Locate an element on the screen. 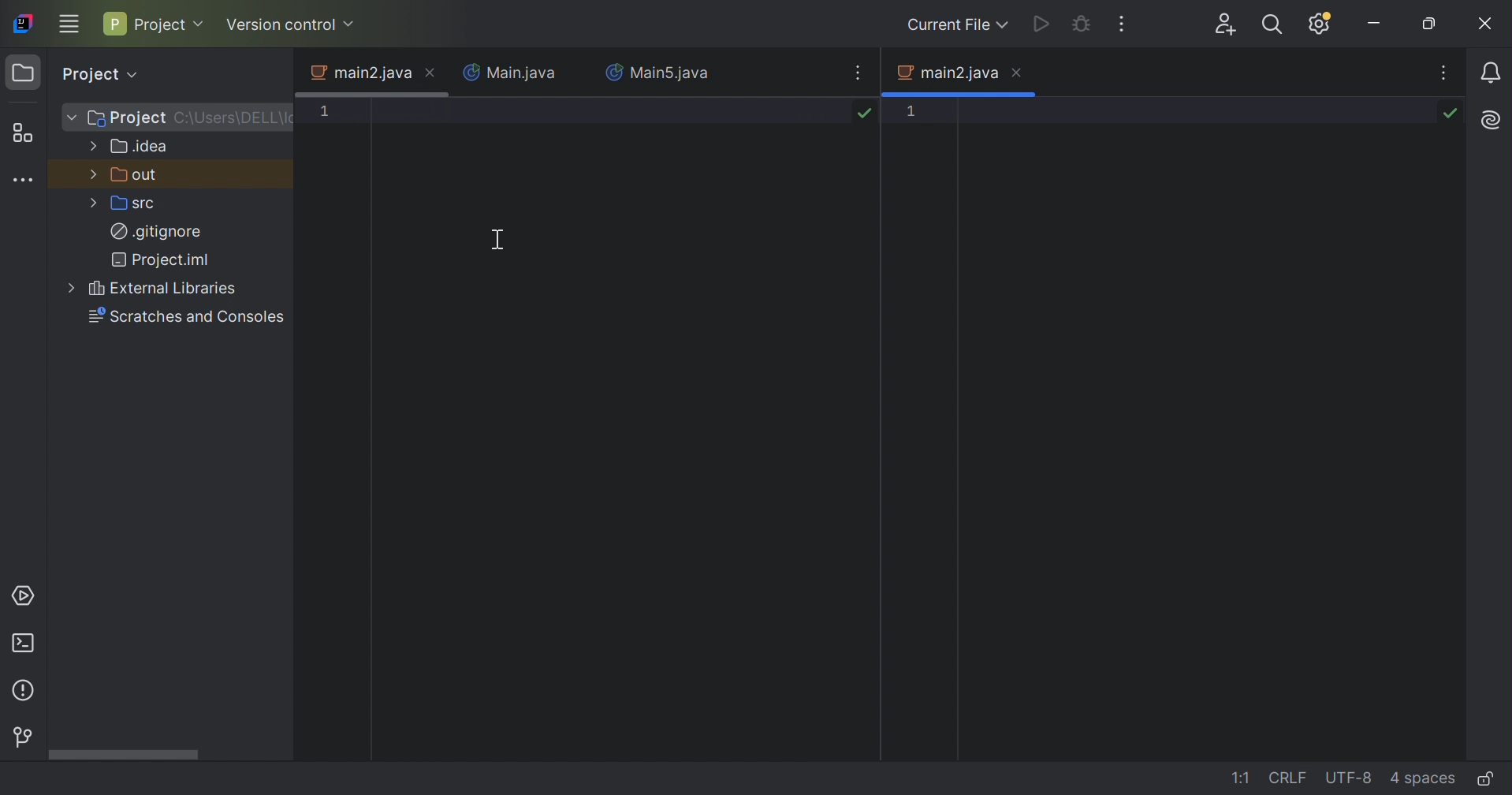  .idea is located at coordinates (140, 147).